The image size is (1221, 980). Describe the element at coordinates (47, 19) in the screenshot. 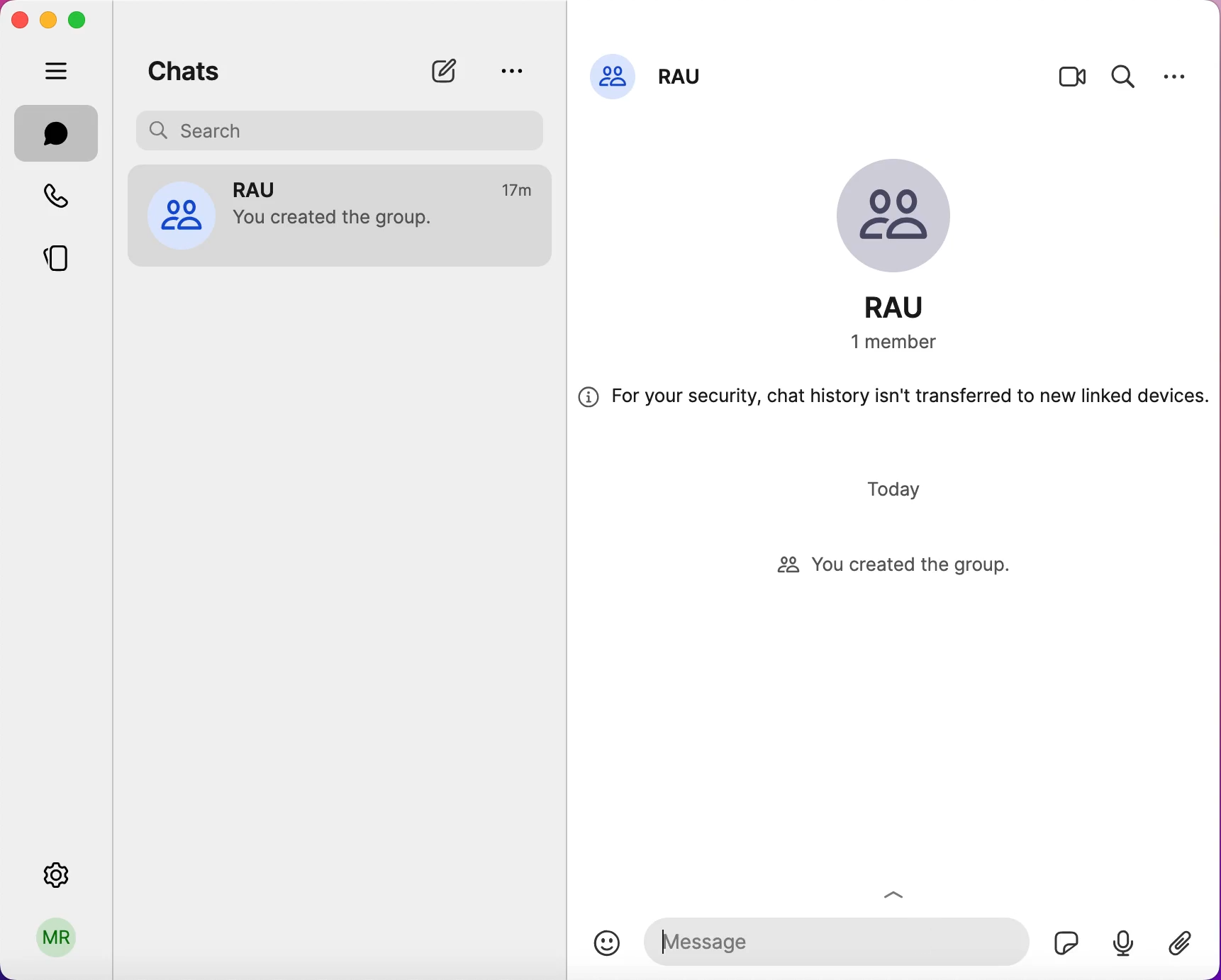

I see `minimize` at that location.